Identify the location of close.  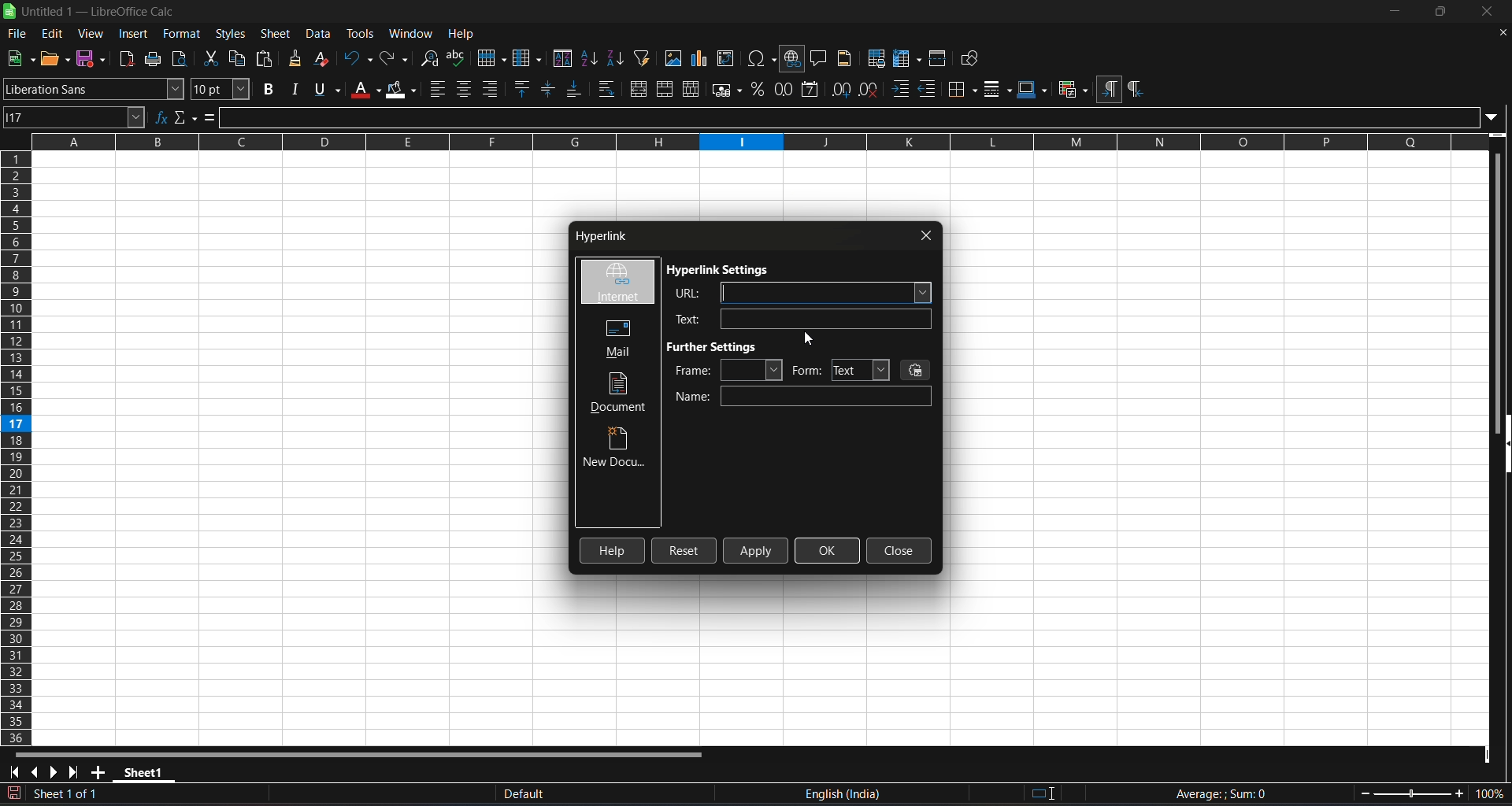
(1484, 11).